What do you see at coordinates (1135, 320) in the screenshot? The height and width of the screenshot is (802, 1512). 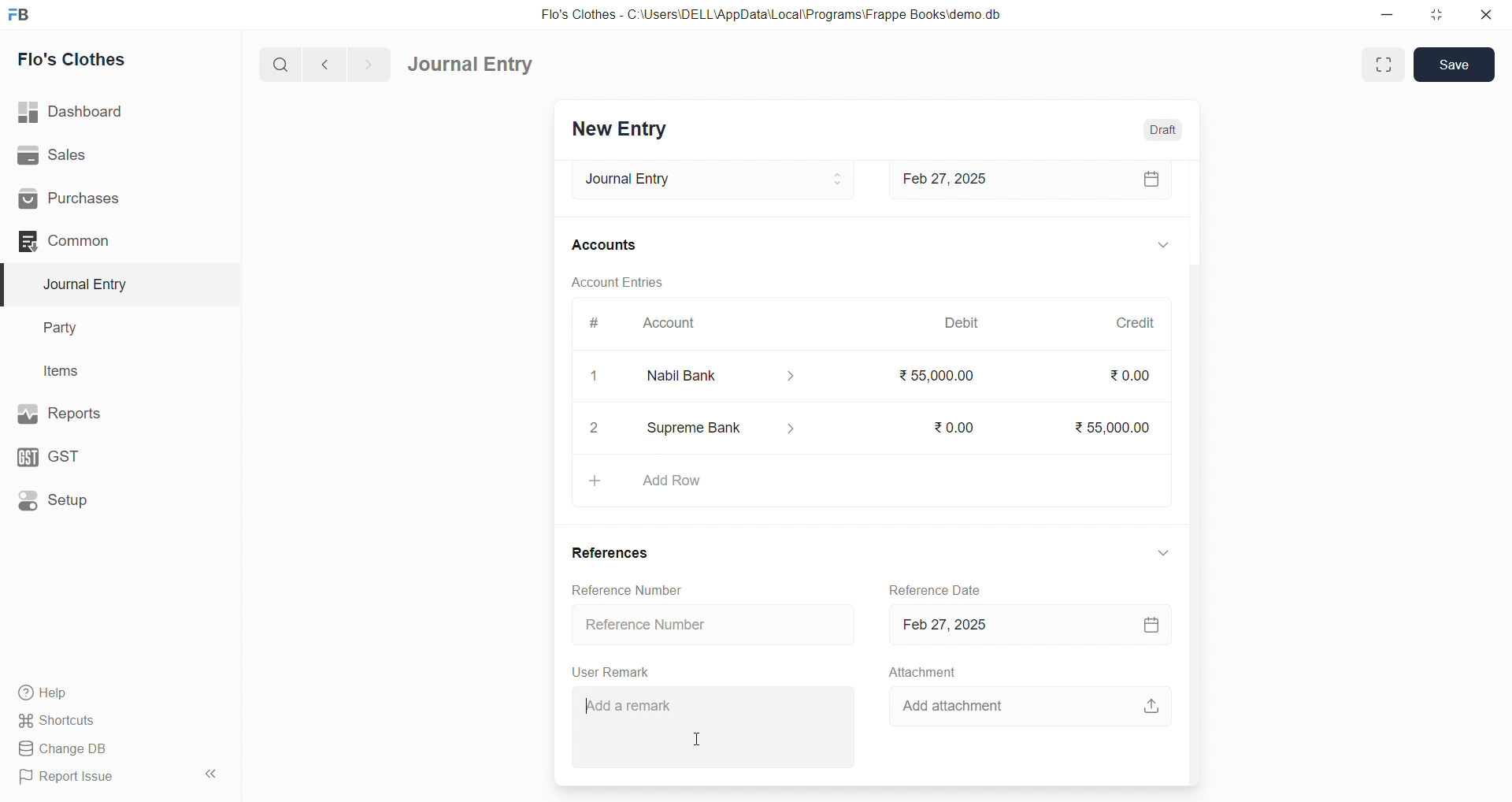 I see `Credit` at bounding box center [1135, 320].